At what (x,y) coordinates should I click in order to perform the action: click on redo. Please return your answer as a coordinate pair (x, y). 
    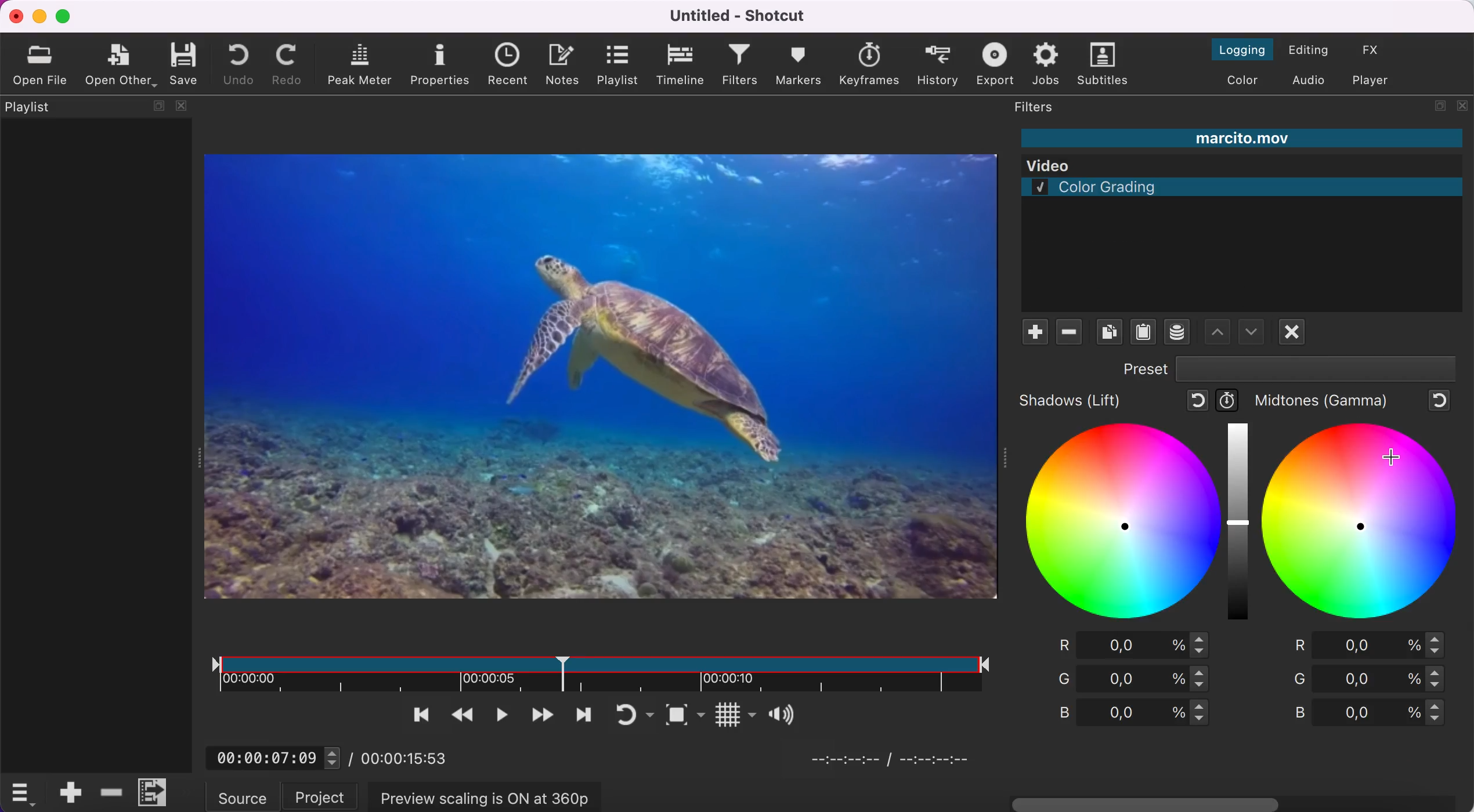
    Looking at the image, I should click on (289, 64).